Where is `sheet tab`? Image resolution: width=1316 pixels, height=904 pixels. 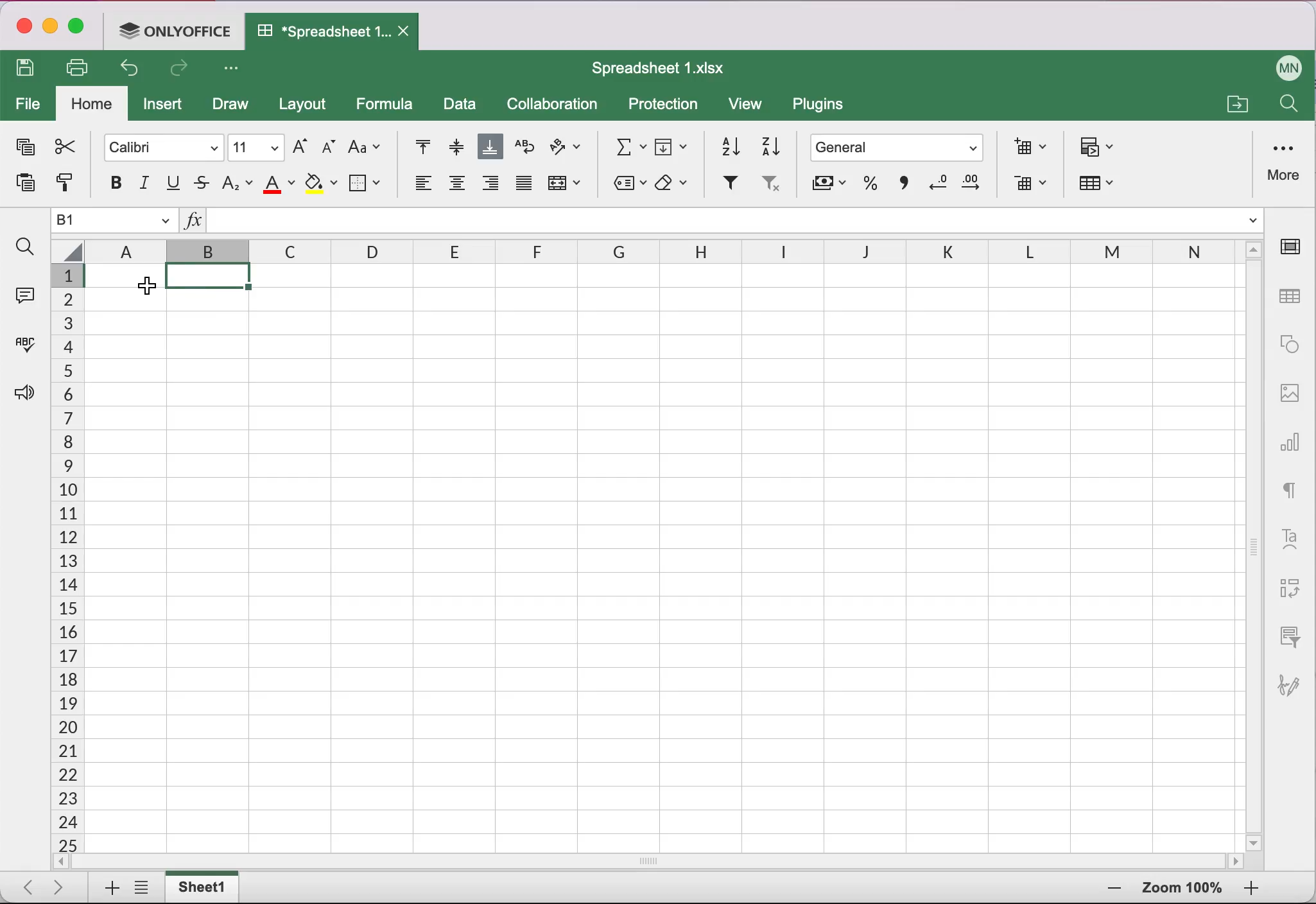
sheet tab is located at coordinates (205, 887).